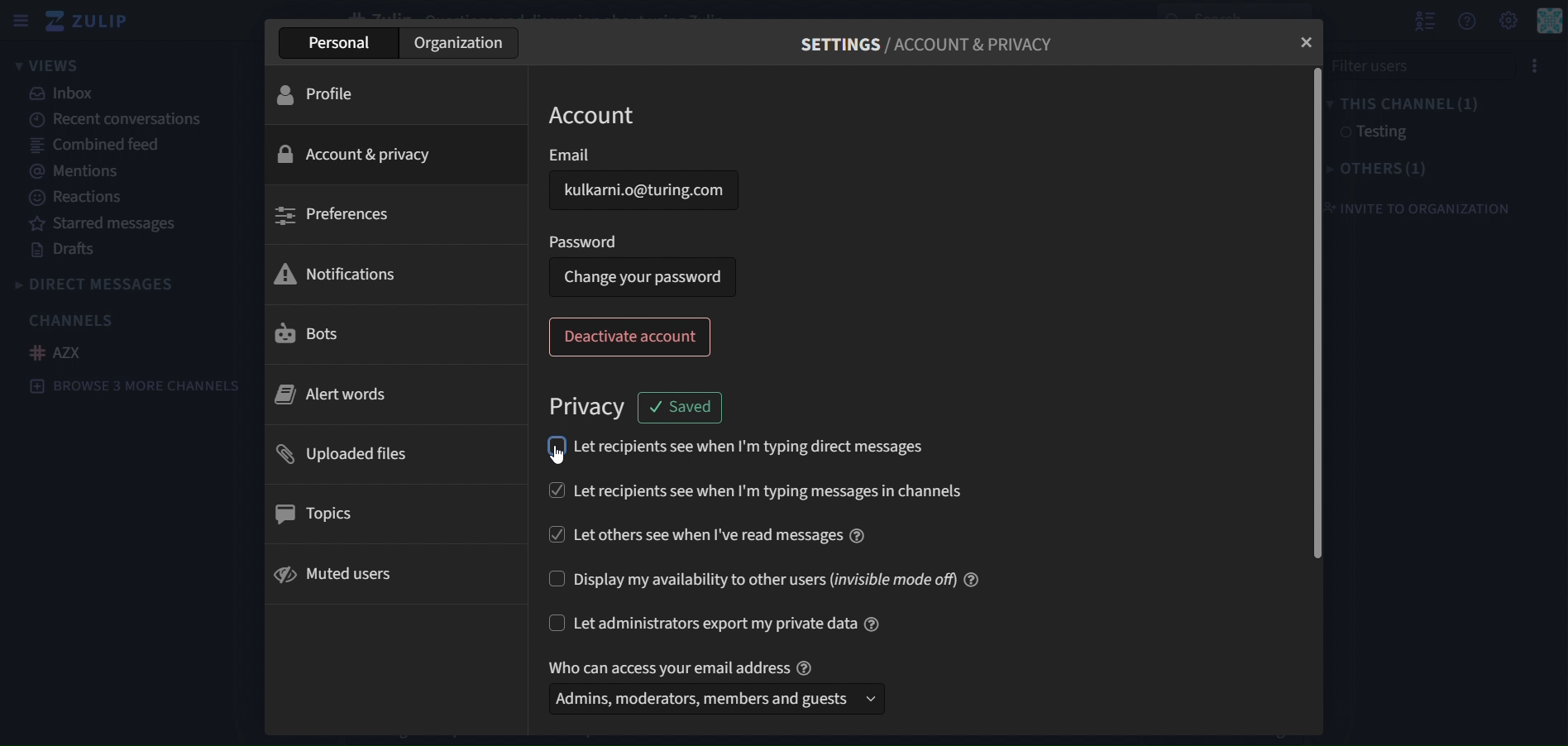 The height and width of the screenshot is (746, 1568). What do you see at coordinates (80, 93) in the screenshot?
I see `inbox` at bounding box center [80, 93].